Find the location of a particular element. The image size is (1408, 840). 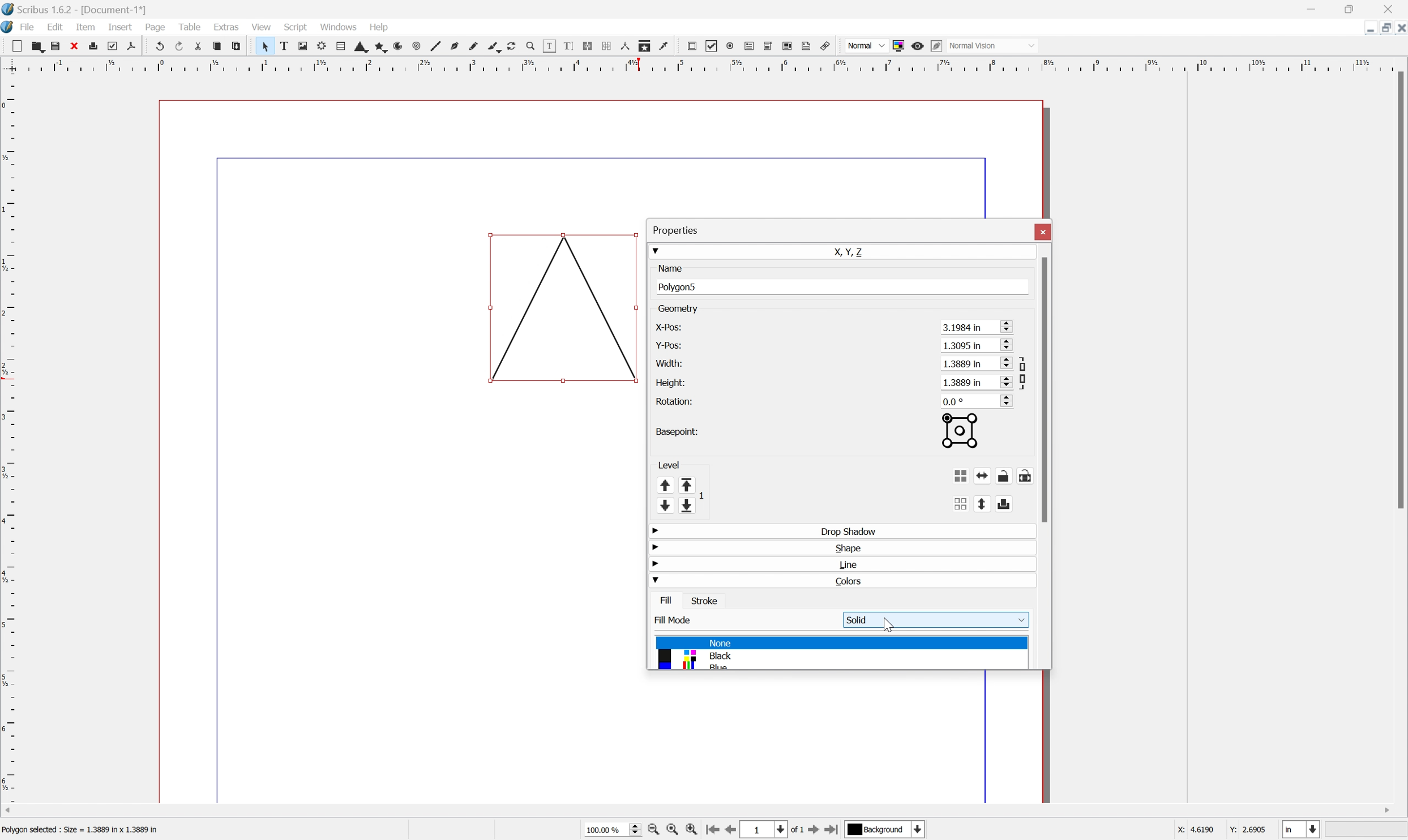

Solid is located at coordinates (935, 620).